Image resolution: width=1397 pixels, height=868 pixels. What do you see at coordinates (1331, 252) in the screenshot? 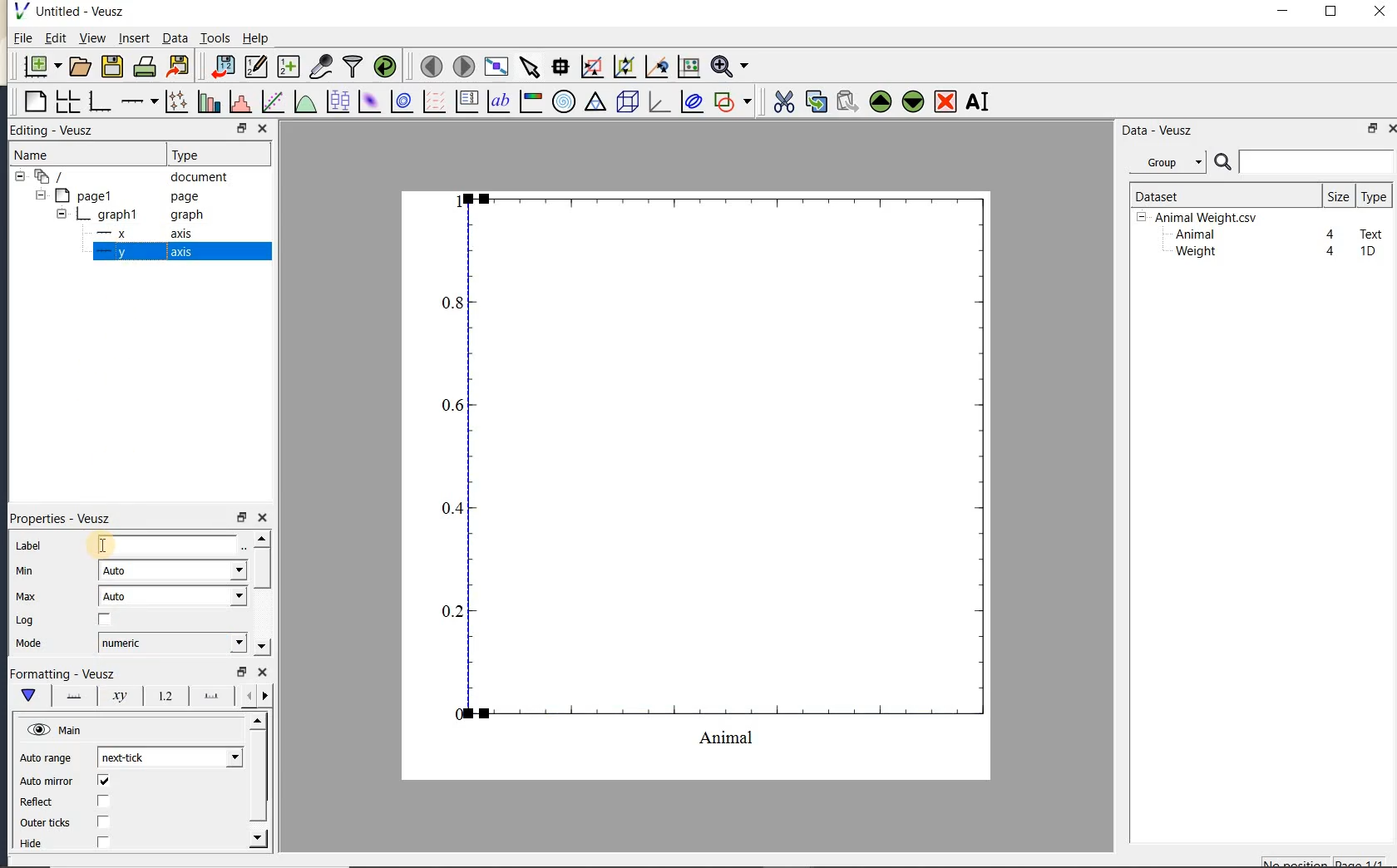
I see `4` at bounding box center [1331, 252].